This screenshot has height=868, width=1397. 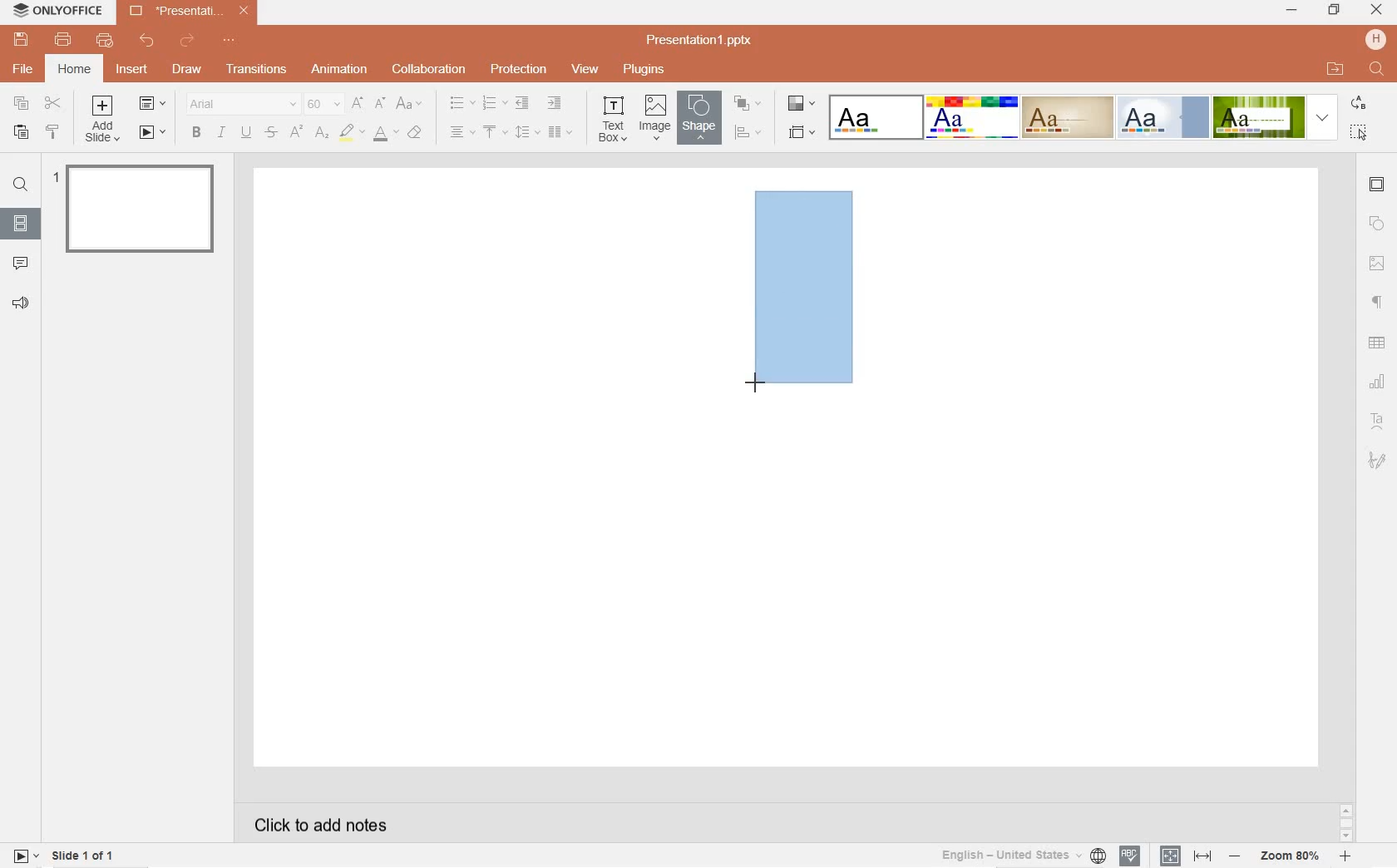 What do you see at coordinates (64, 40) in the screenshot?
I see `print` at bounding box center [64, 40].